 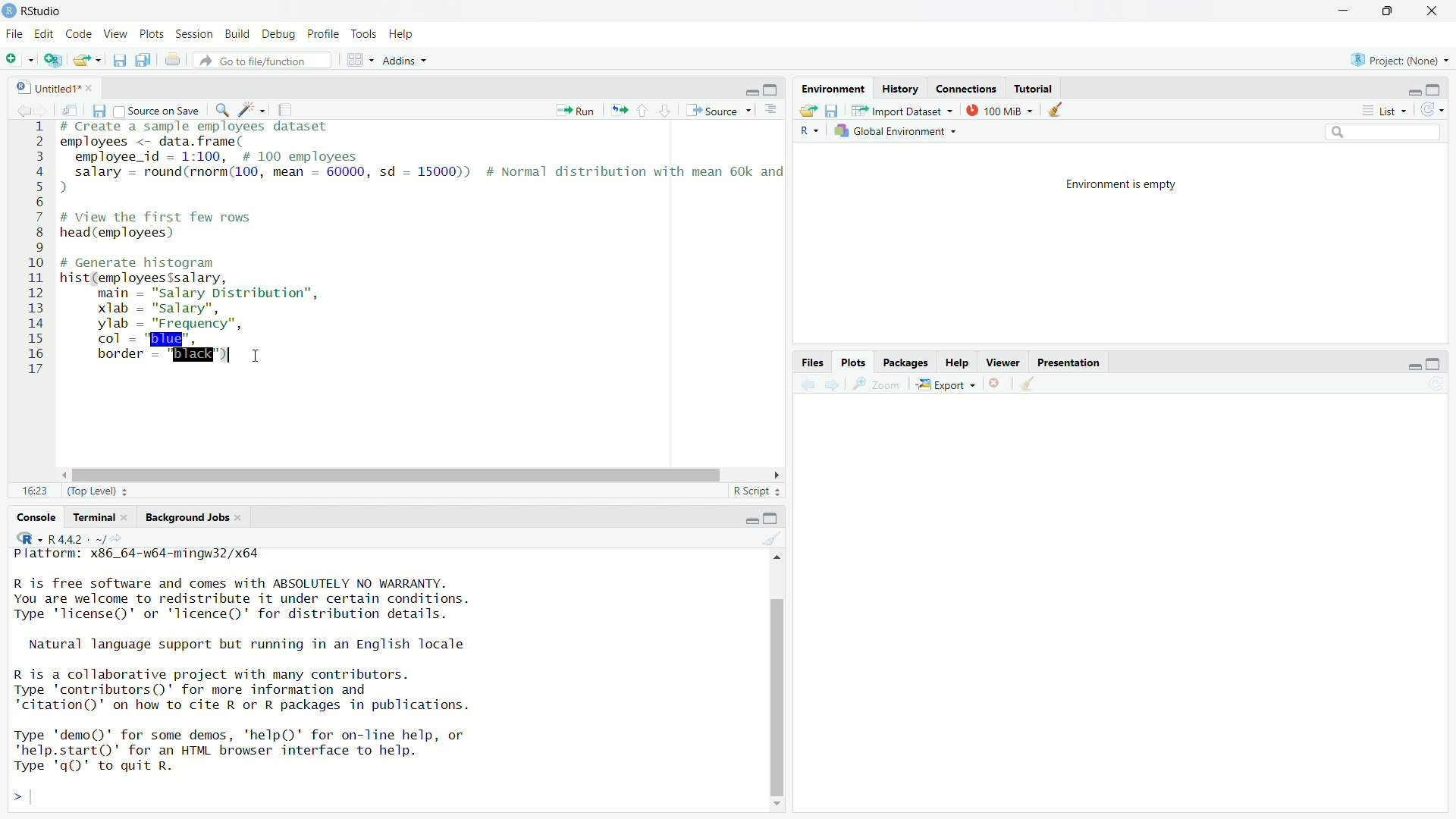 I want to click on Plots, so click(x=152, y=34).